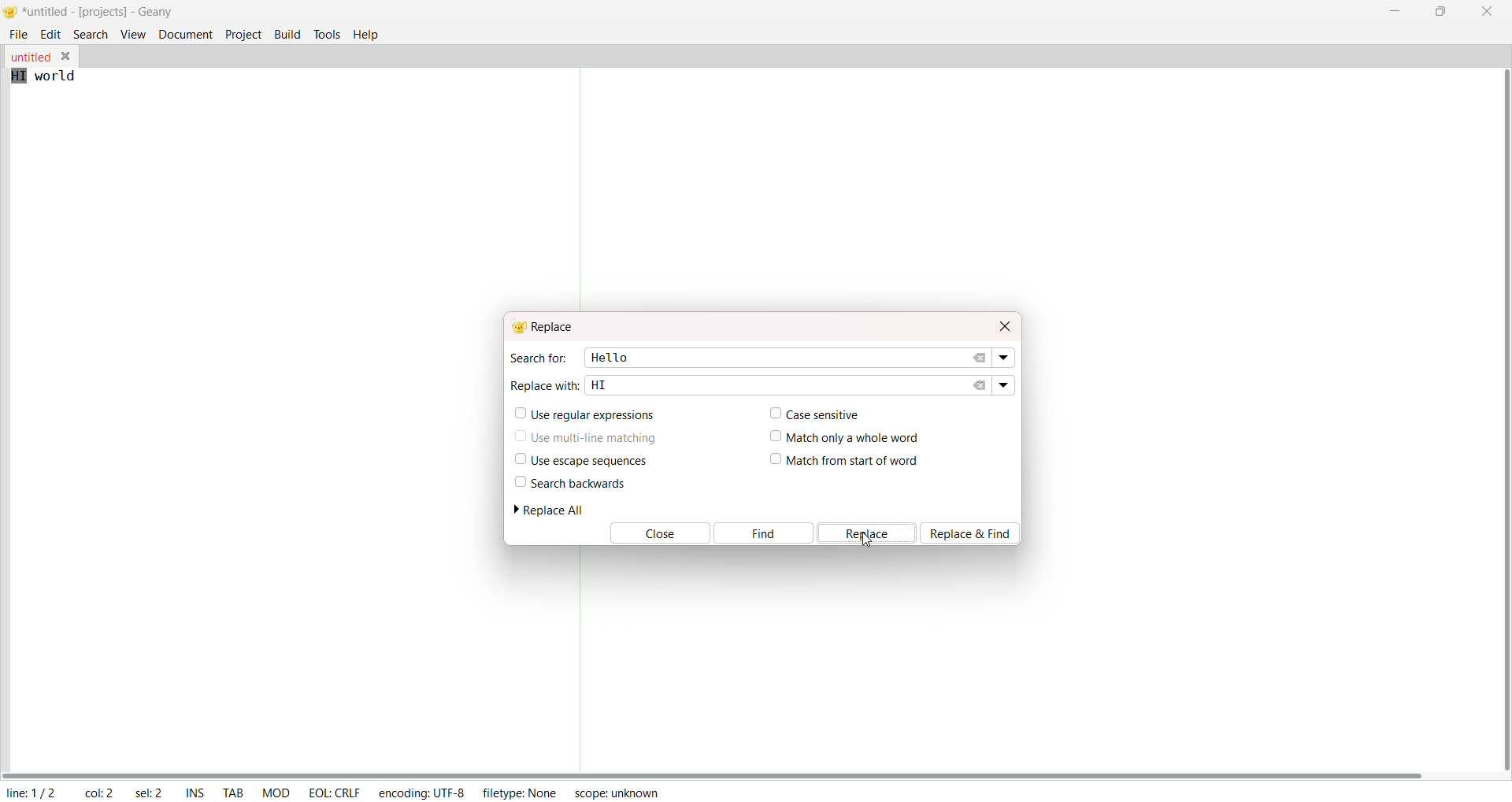 This screenshot has width=1512, height=802. I want to click on cursor, so click(865, 540).